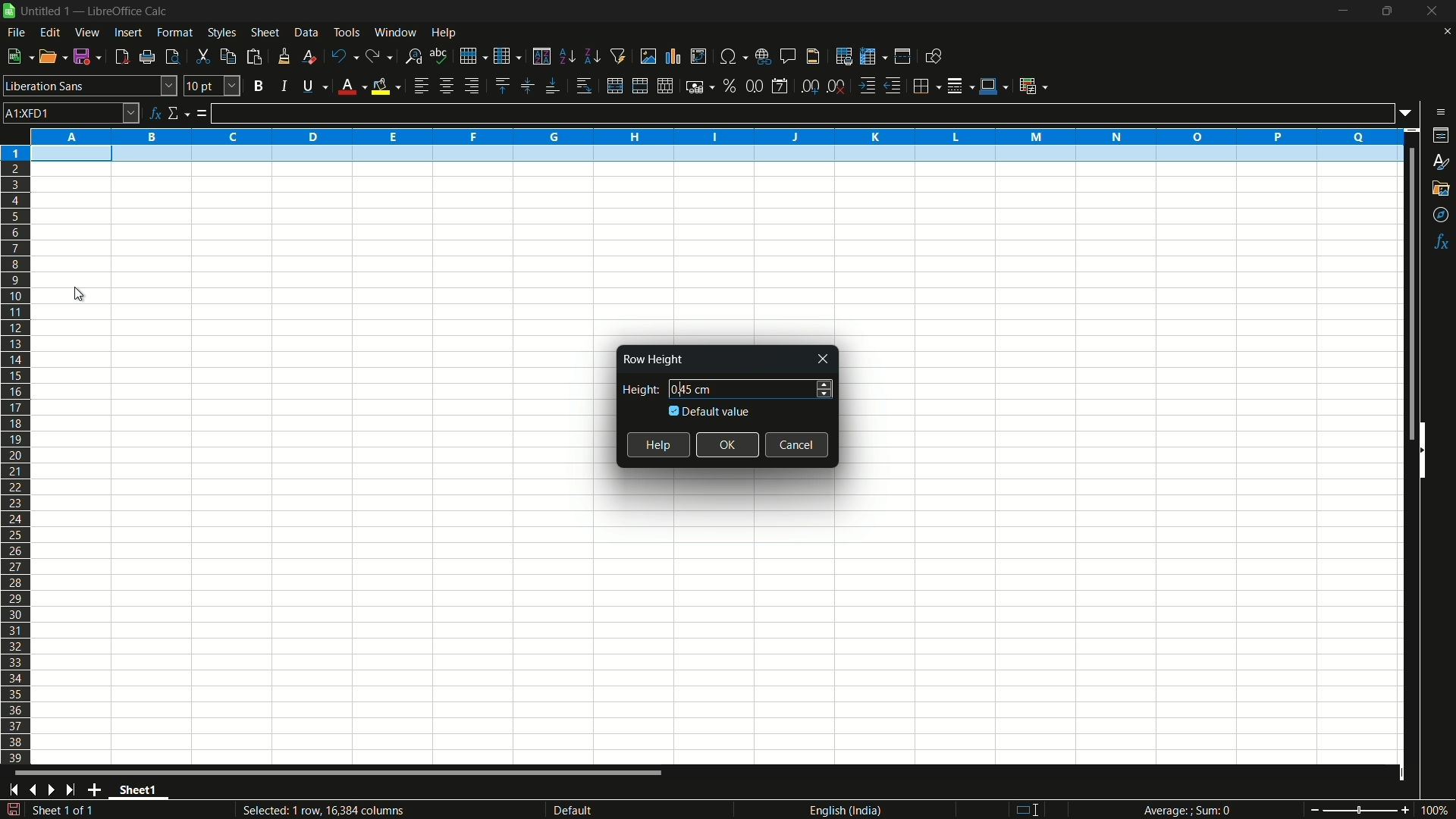 The height and width of the screenshot is (819, 1456). Describe the element at coordinates (155, 113) in the screenshot. I see `function wizard` at that location.